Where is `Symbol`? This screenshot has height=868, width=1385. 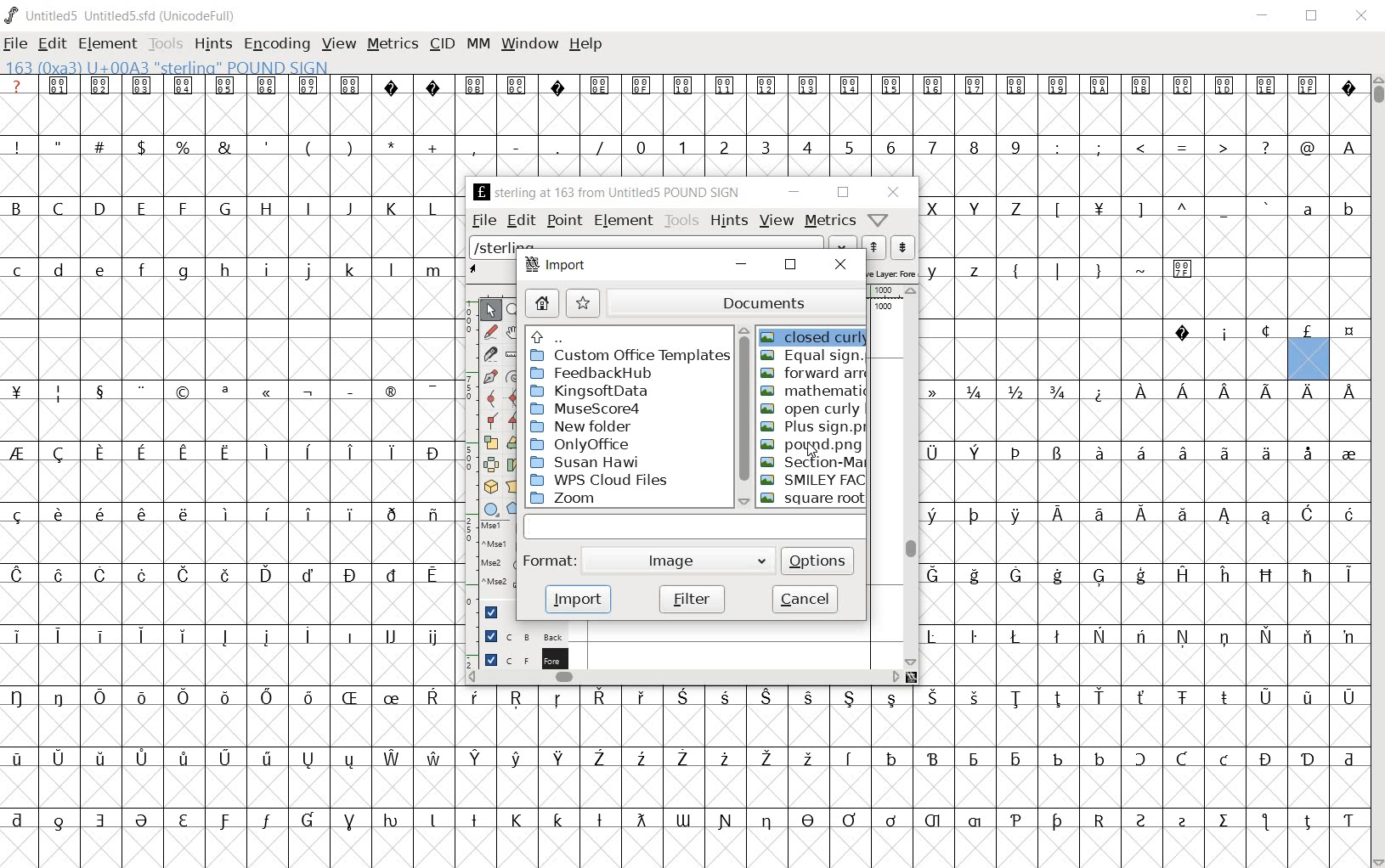
Symbol is located at coordinates (933, 758).